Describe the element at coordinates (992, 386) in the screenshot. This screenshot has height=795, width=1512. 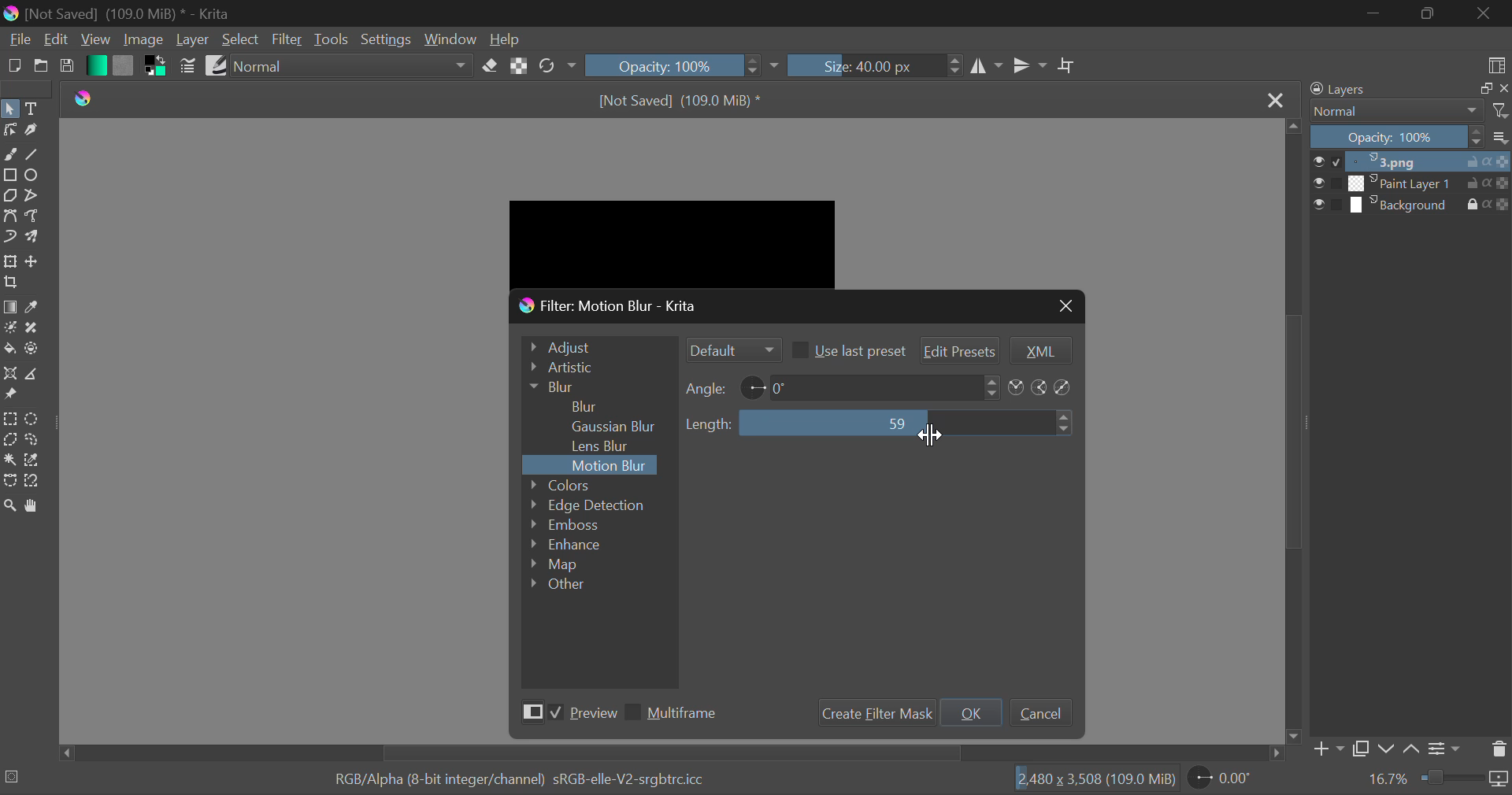
I see `Increase or decrease angle` at that location.